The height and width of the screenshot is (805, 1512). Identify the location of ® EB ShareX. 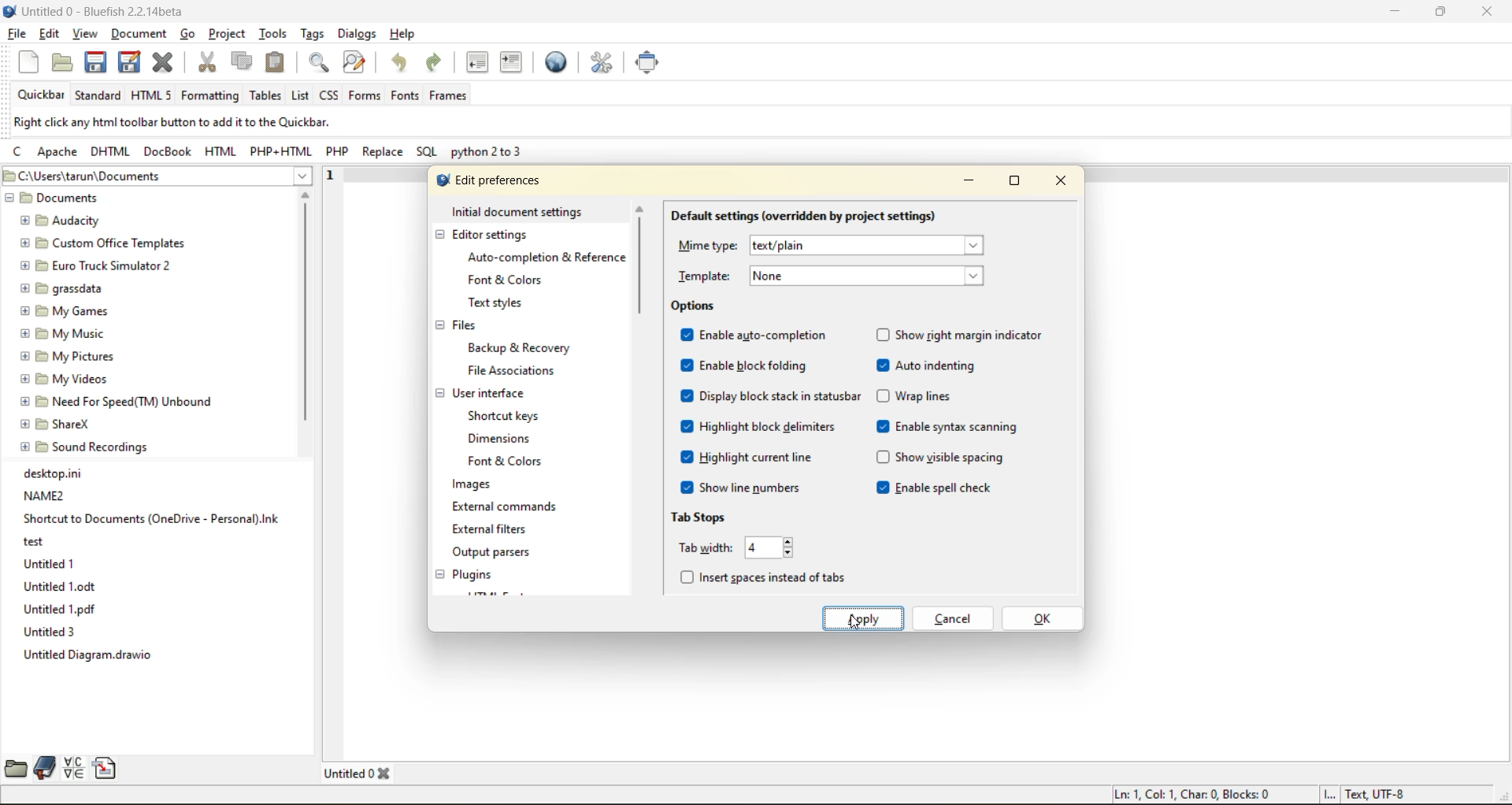
(57, 422).